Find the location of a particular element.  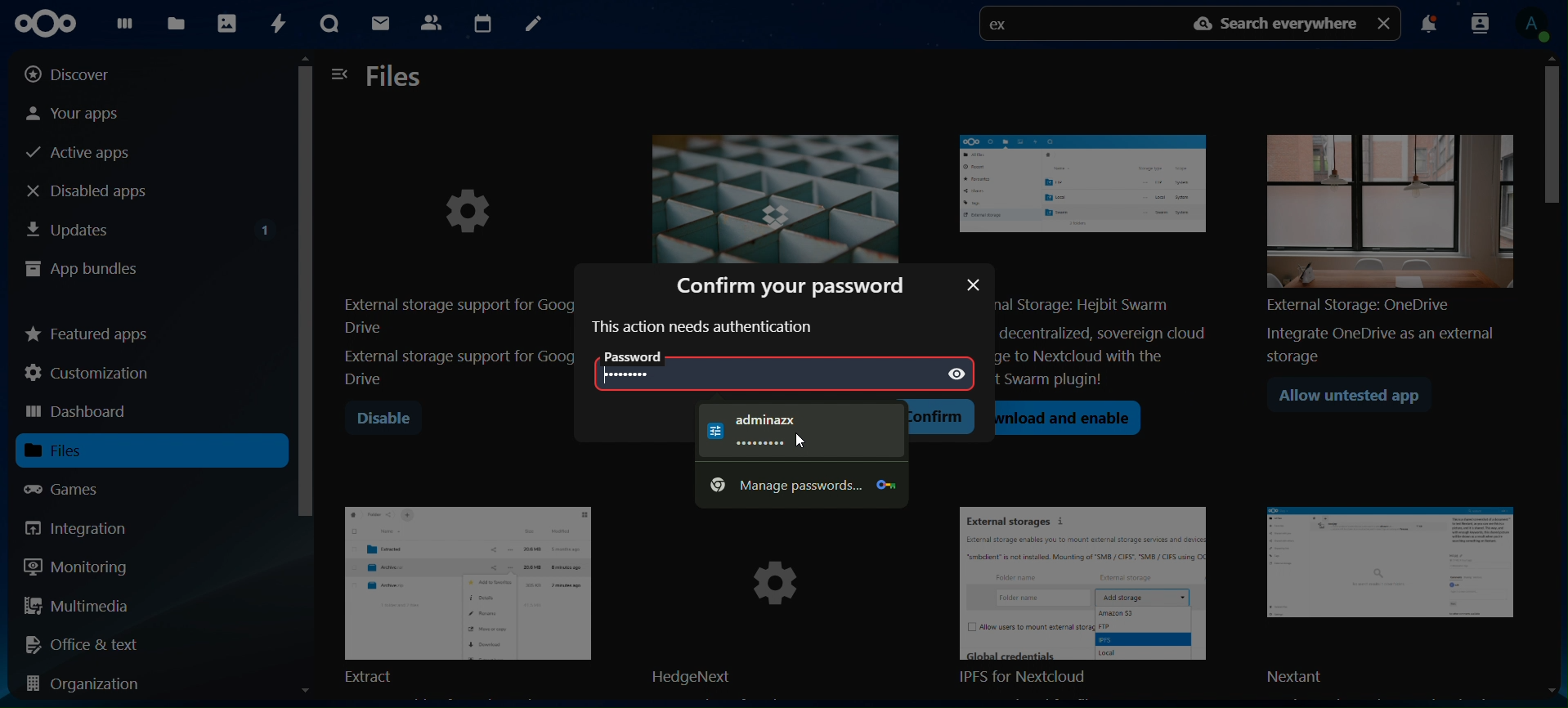

activity is located at coordinates (276, 24).